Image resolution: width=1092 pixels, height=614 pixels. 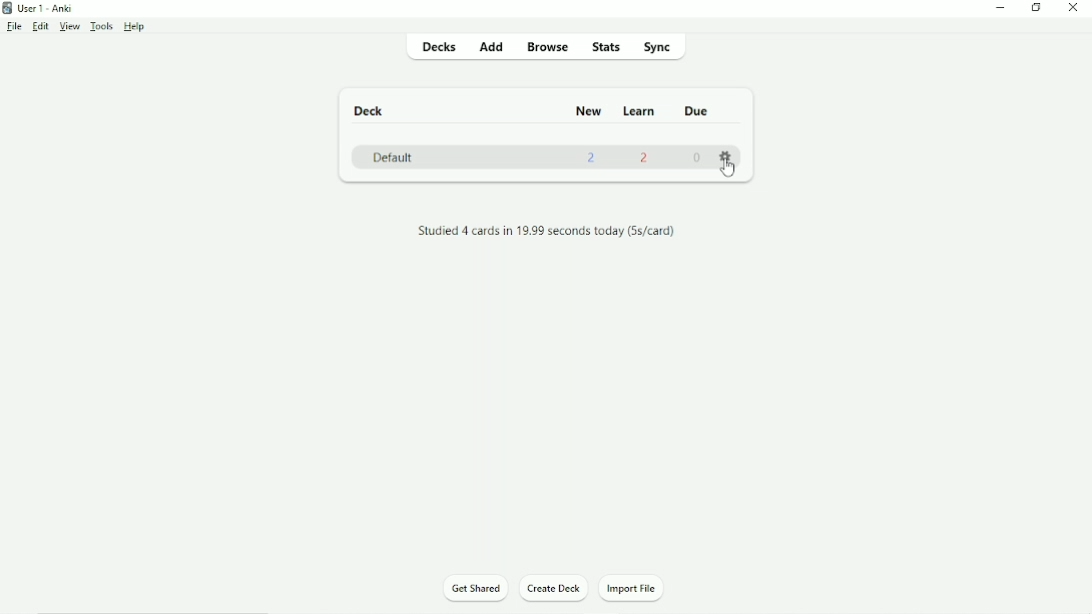 What do you see at coordinates (586, 110) in the screenshot?
I see `New` at bounding box center [586, 110].